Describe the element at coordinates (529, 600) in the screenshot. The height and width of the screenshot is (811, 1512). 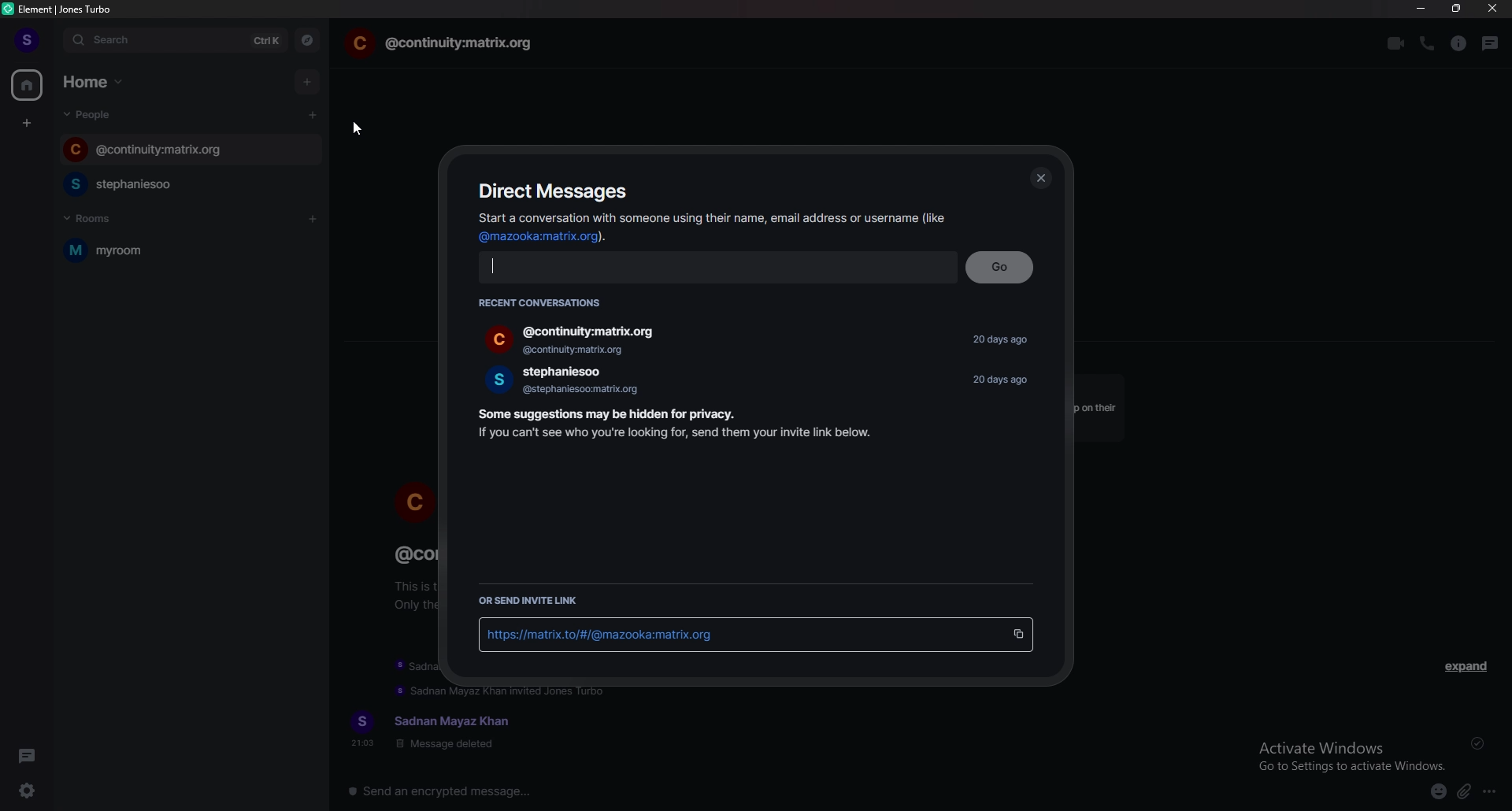
I see `send invite link` at that location.